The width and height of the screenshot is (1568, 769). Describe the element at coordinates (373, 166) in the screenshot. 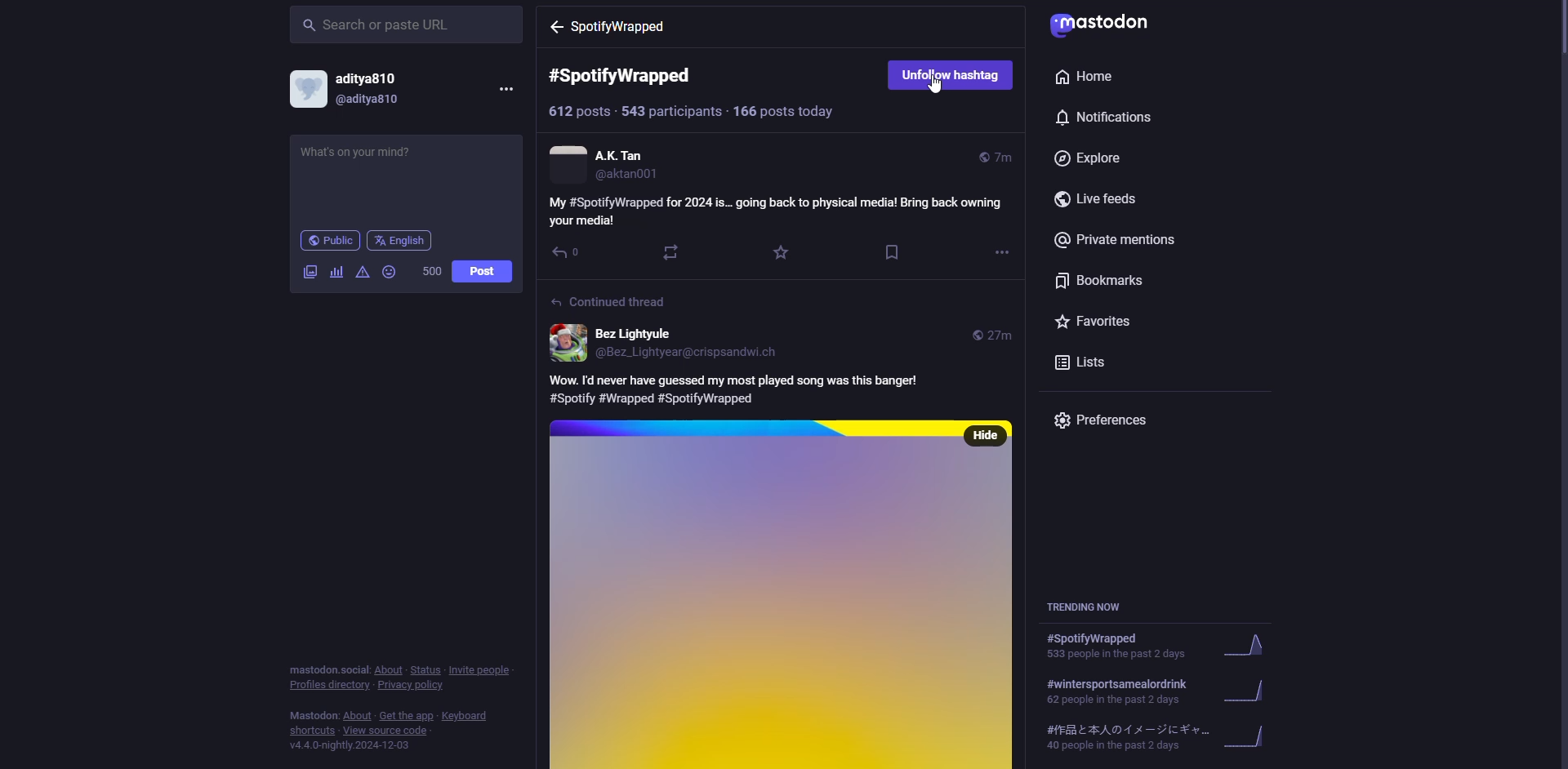

I see `write` at that location.